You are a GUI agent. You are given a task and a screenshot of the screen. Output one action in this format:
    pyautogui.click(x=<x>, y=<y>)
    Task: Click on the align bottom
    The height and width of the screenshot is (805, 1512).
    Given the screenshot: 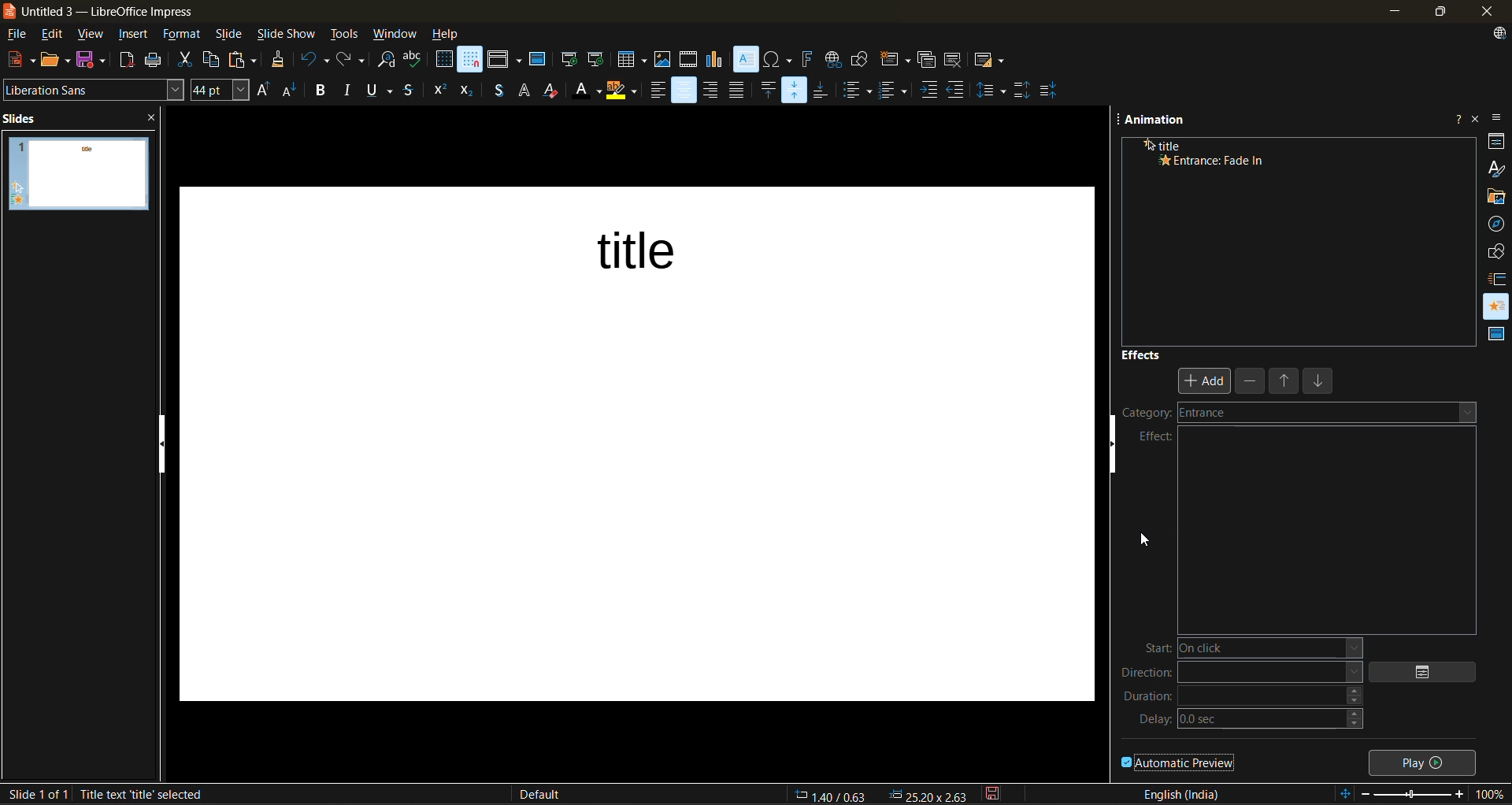 What is the action you would take?
    pyautogui.click(x=823, y=89)
    